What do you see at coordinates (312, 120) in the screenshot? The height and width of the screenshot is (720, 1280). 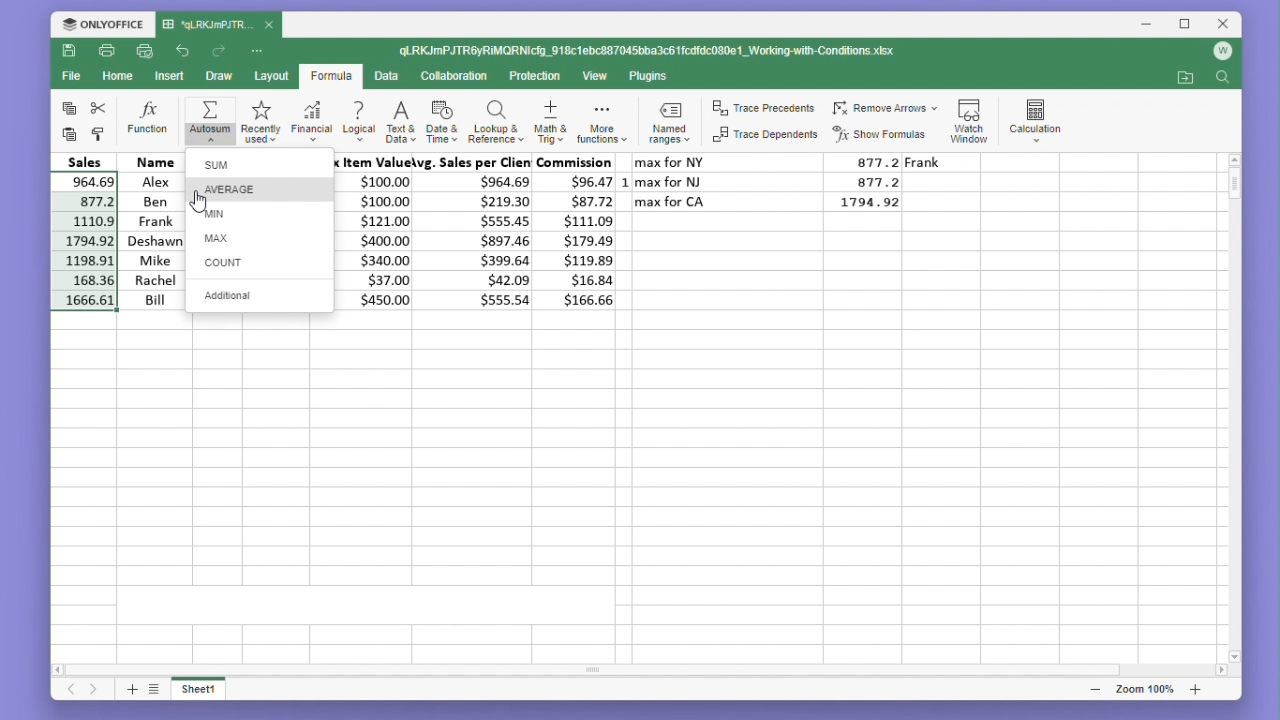 I see `Financial` at bounding box center [312, 120].